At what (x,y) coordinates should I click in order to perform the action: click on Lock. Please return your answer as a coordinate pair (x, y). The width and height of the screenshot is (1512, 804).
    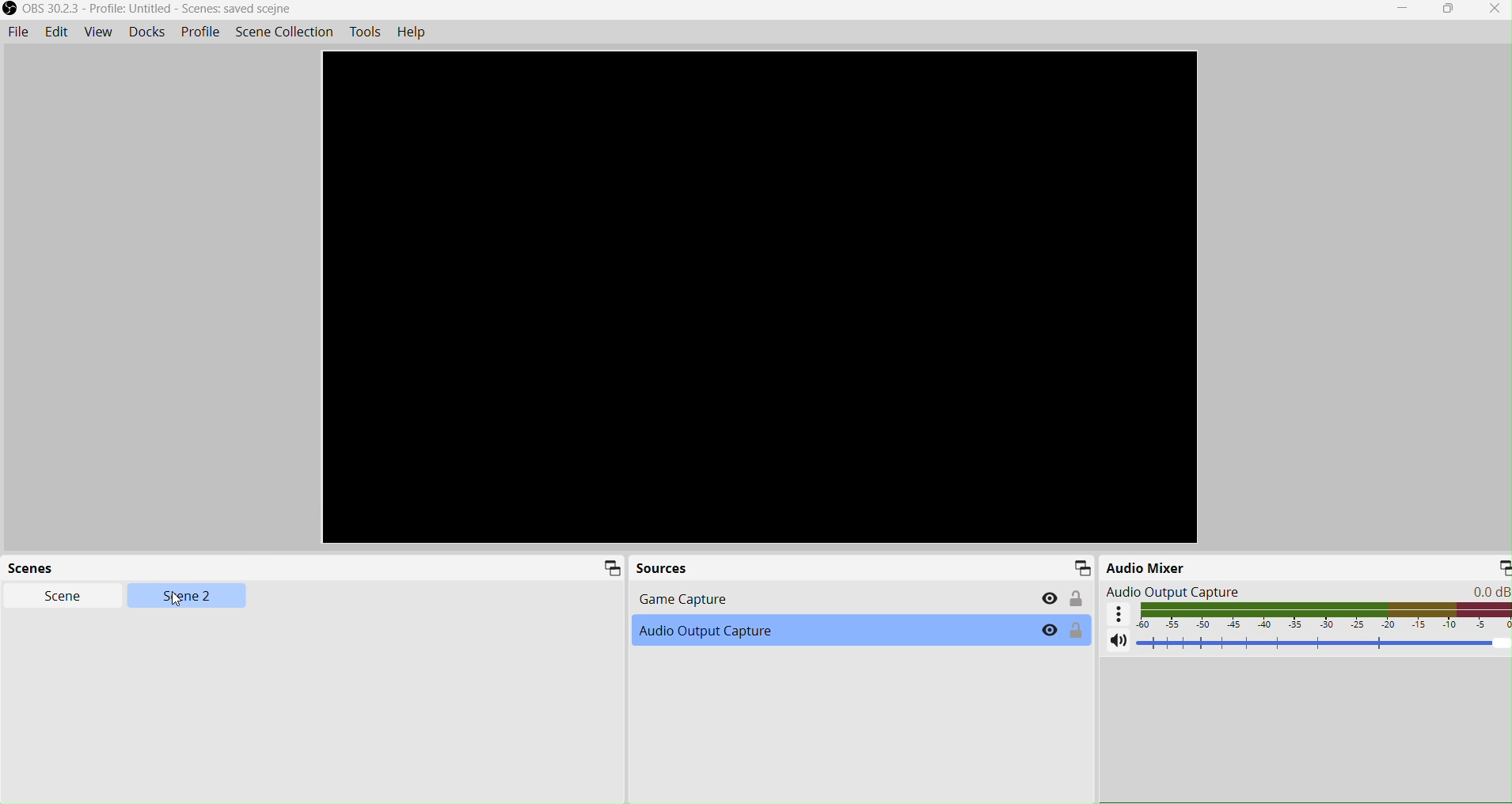
    Looking at the image, I should click on (1077, 599).